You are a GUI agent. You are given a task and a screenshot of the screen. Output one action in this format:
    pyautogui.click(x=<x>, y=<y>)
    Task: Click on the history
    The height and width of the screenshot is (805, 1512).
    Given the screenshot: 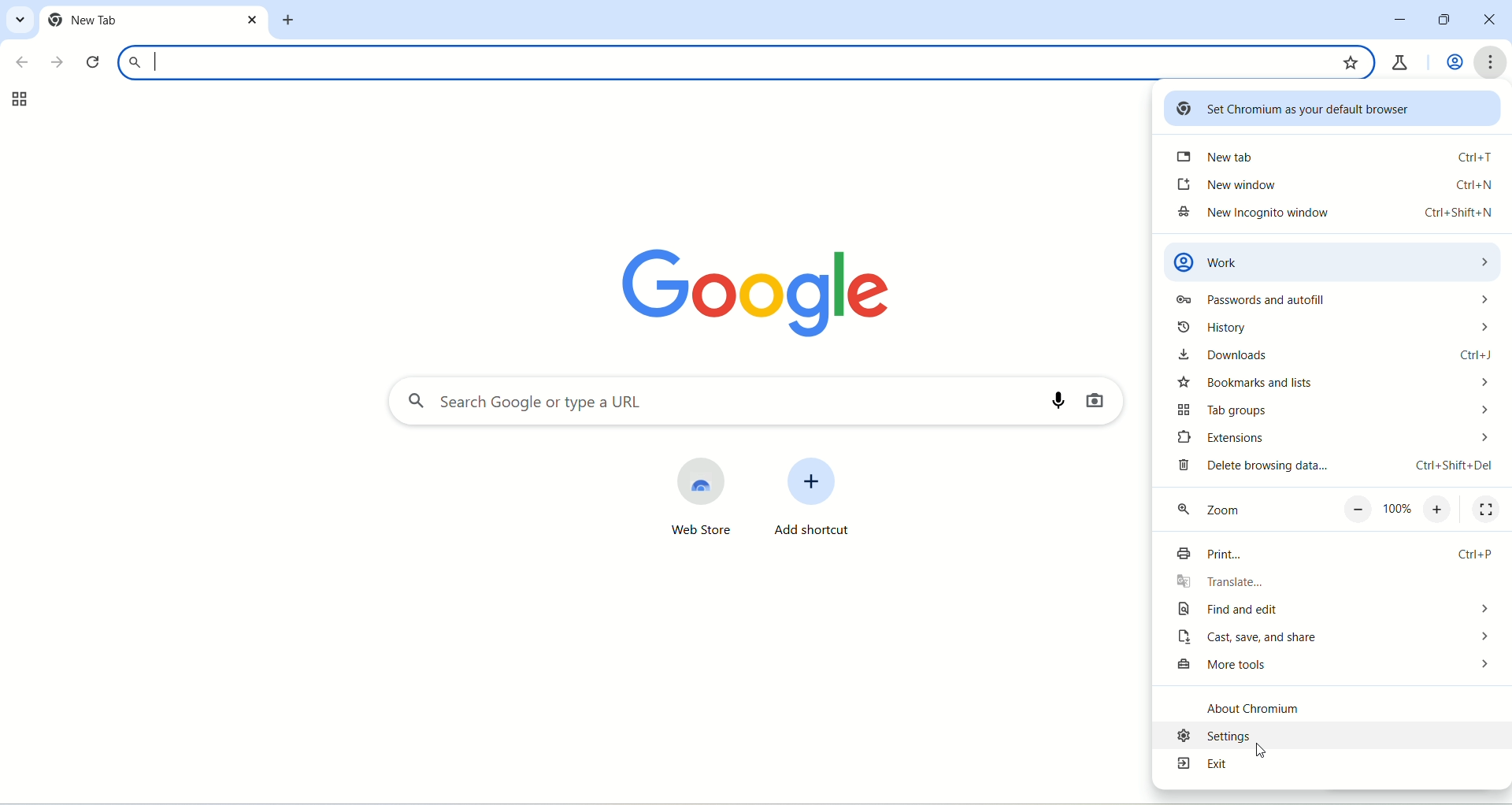 What is the action you would take?
    pyautogui.click(x=1335, y=330)
    